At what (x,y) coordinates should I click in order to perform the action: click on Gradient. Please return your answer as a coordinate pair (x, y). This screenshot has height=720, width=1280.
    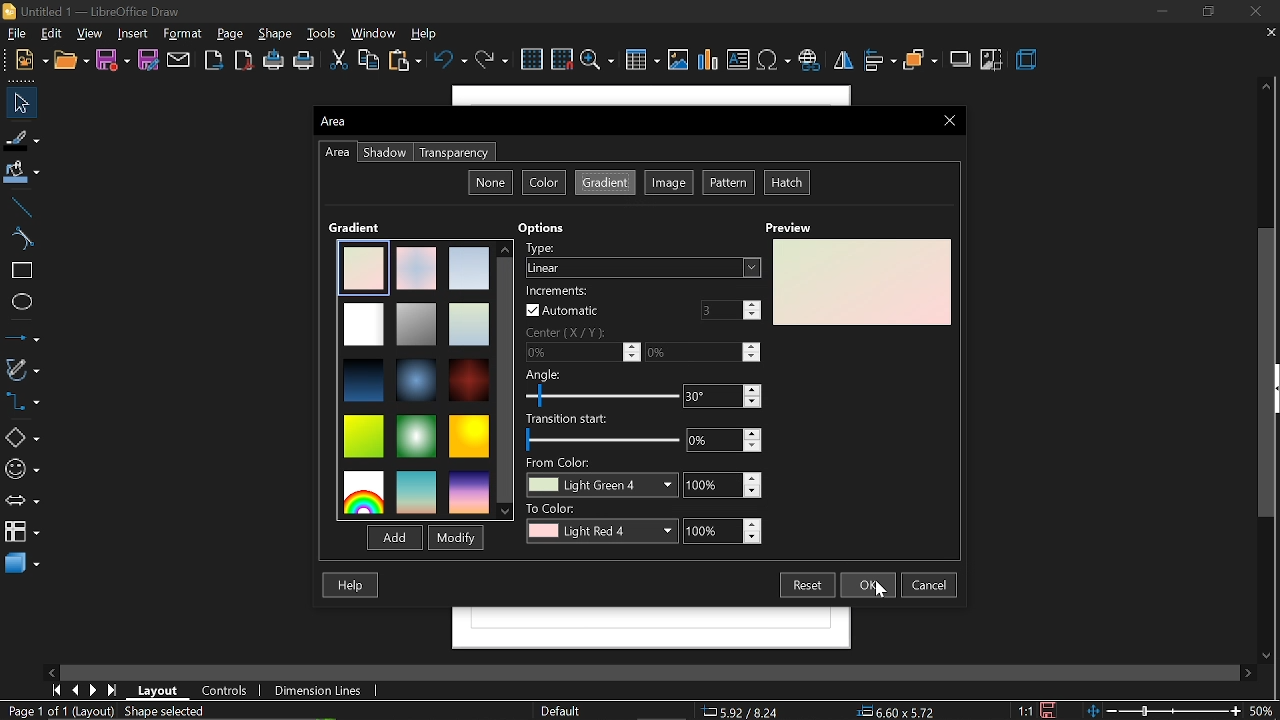
    Looking at the image, I should click on (356, 228).